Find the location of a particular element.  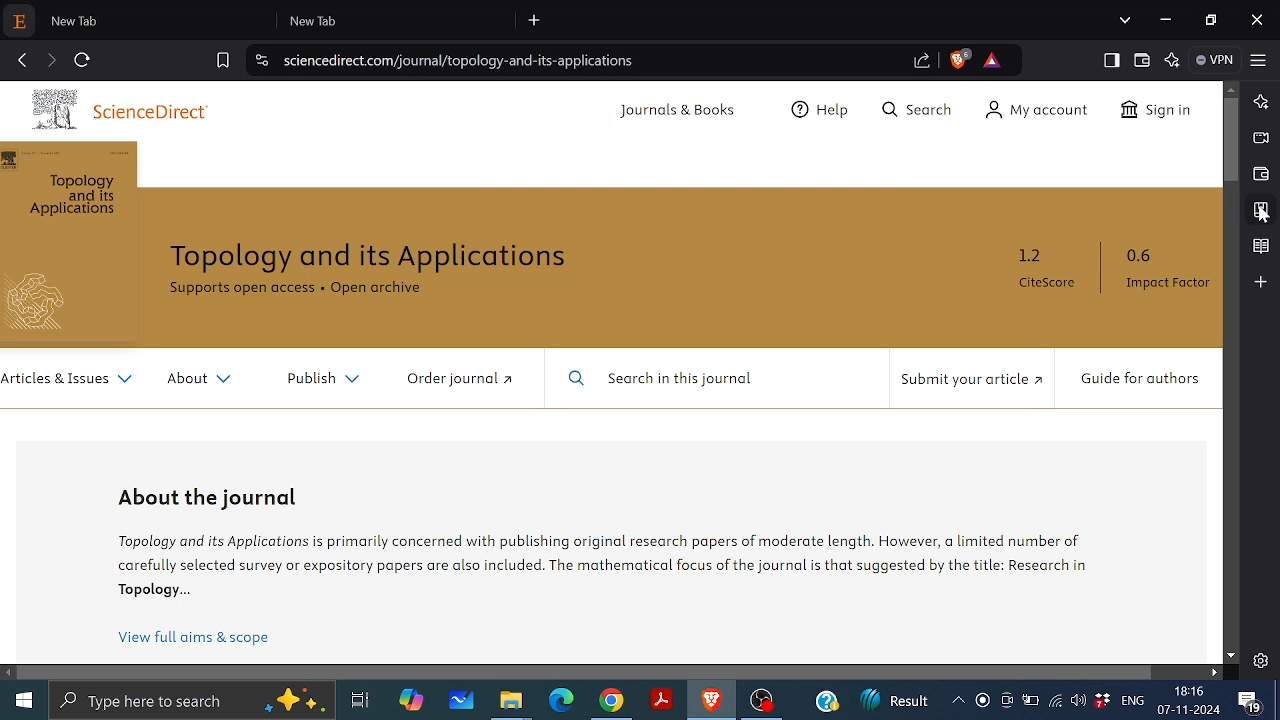

Copilot is located at coordinates (413, 700).